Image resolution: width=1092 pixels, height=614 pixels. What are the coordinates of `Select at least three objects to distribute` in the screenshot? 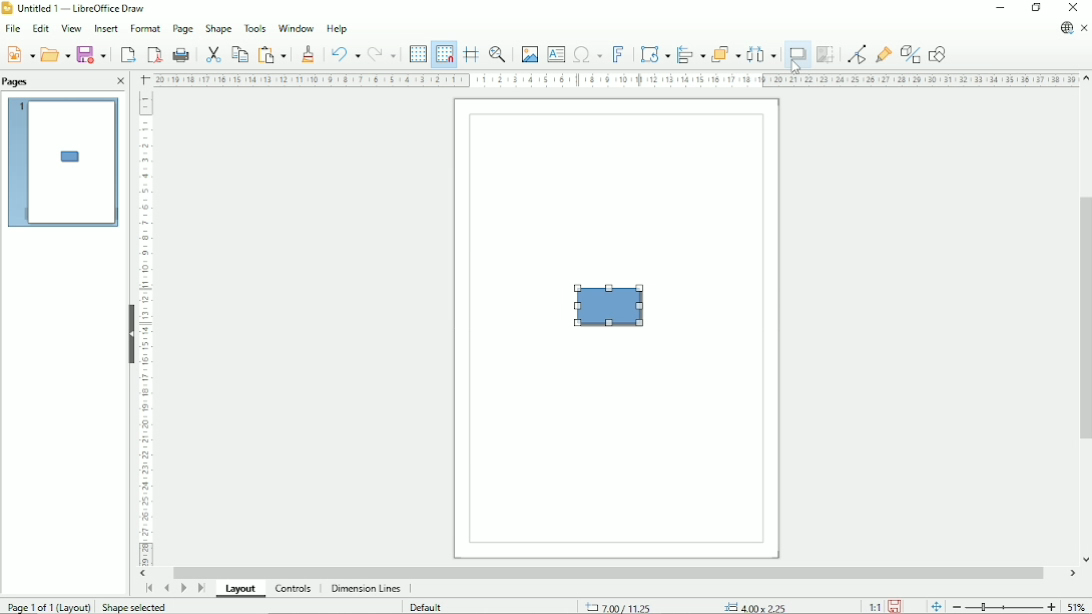 It's located at (762, 54).